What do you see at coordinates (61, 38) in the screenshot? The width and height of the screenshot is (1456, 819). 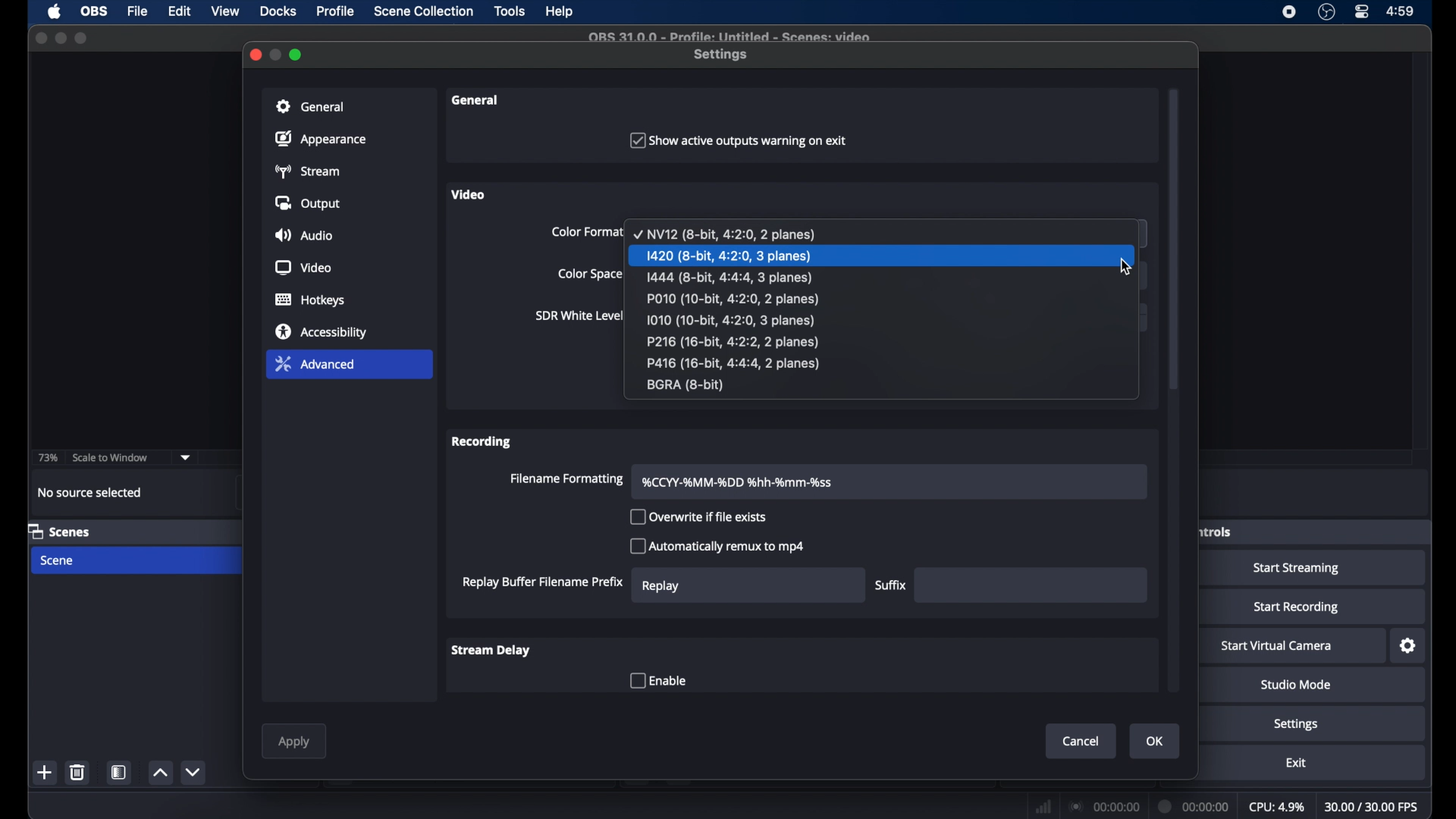 I see `minimize` at bounding box center [61, 38].